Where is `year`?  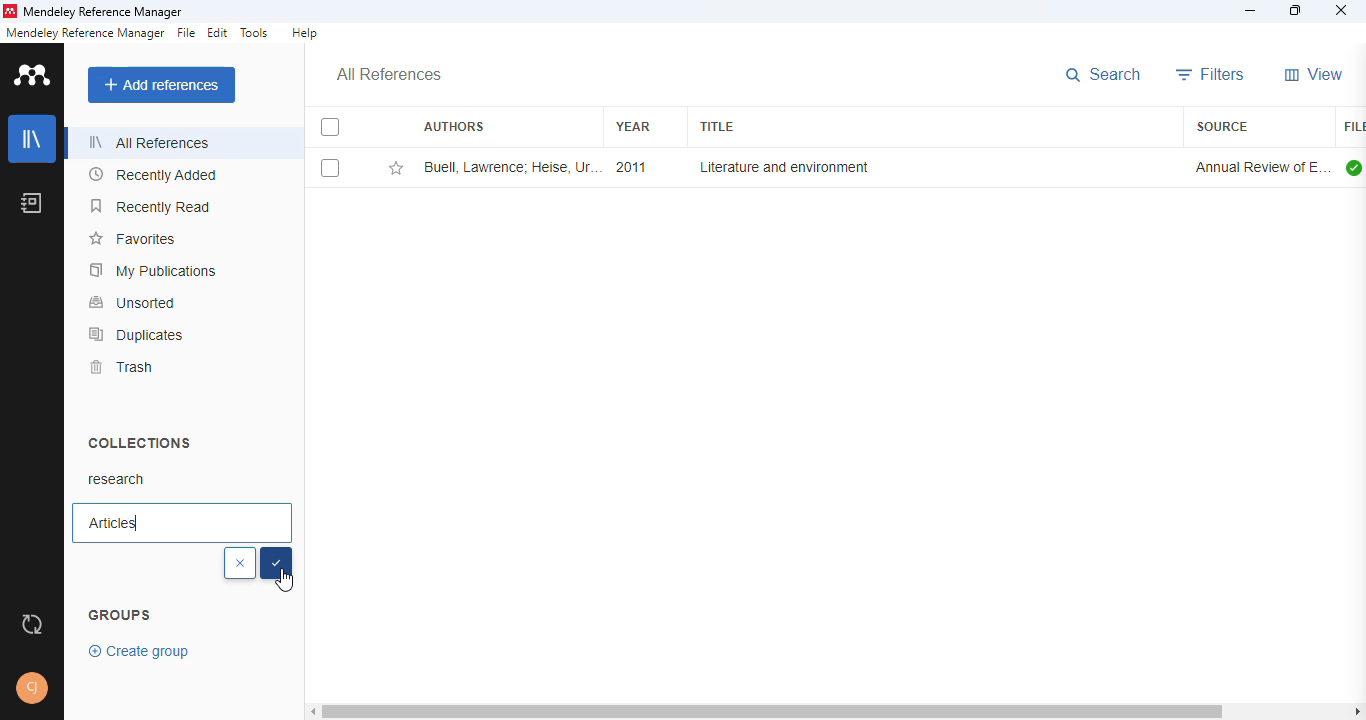
year is located at coordinates (633, 126).